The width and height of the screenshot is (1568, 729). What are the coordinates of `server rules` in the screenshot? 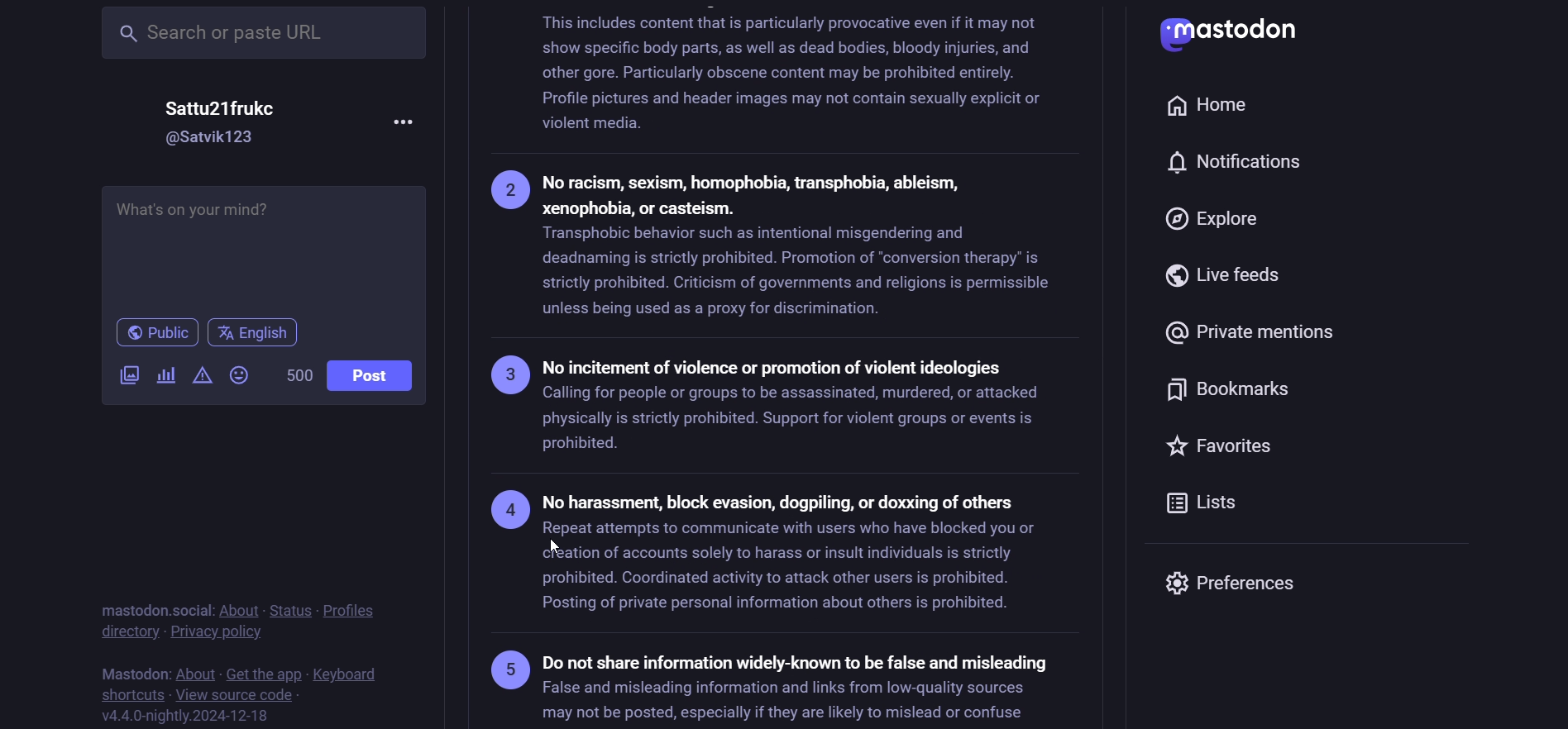 It's located at (786, 366).